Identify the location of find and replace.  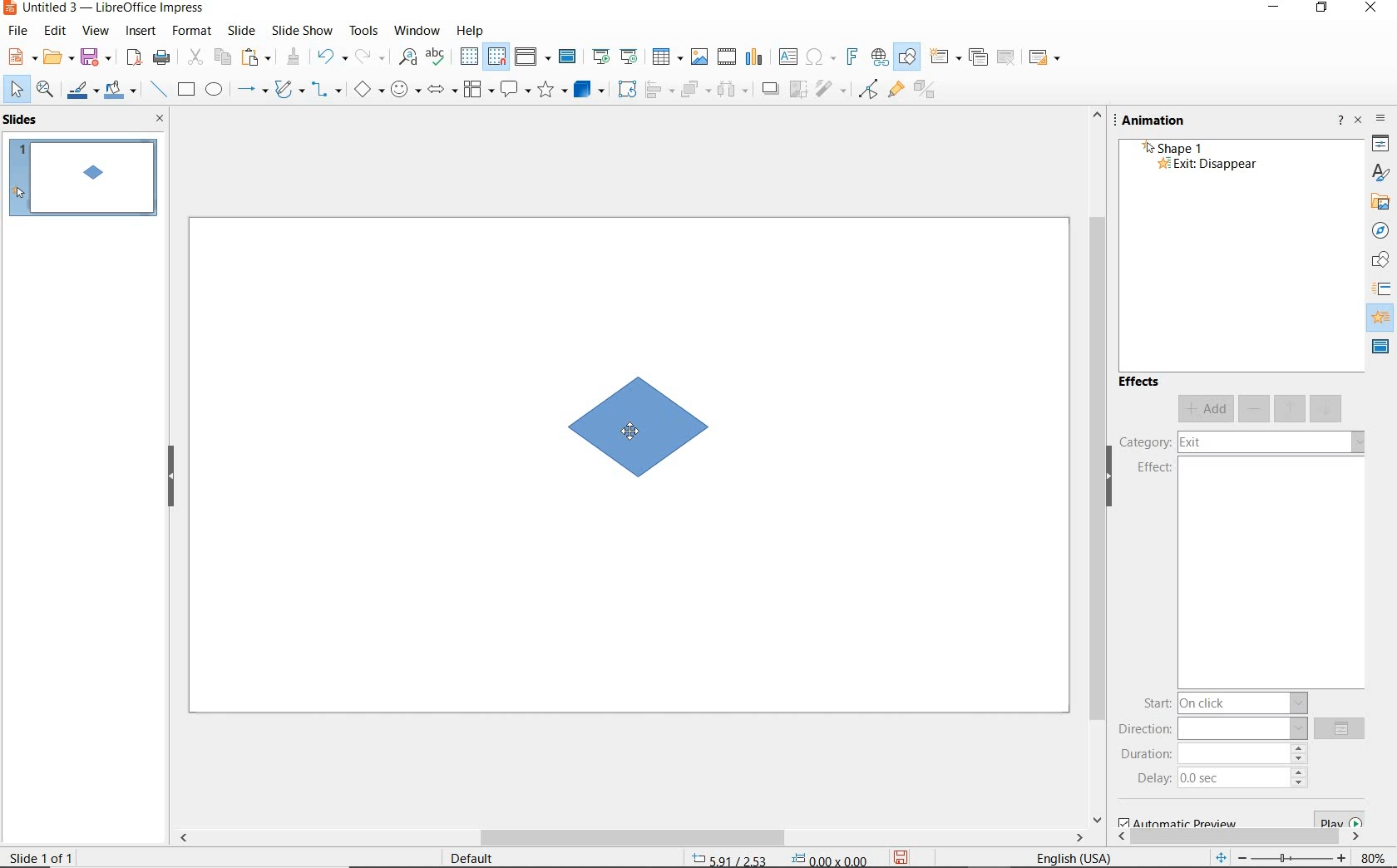
(408, 57).